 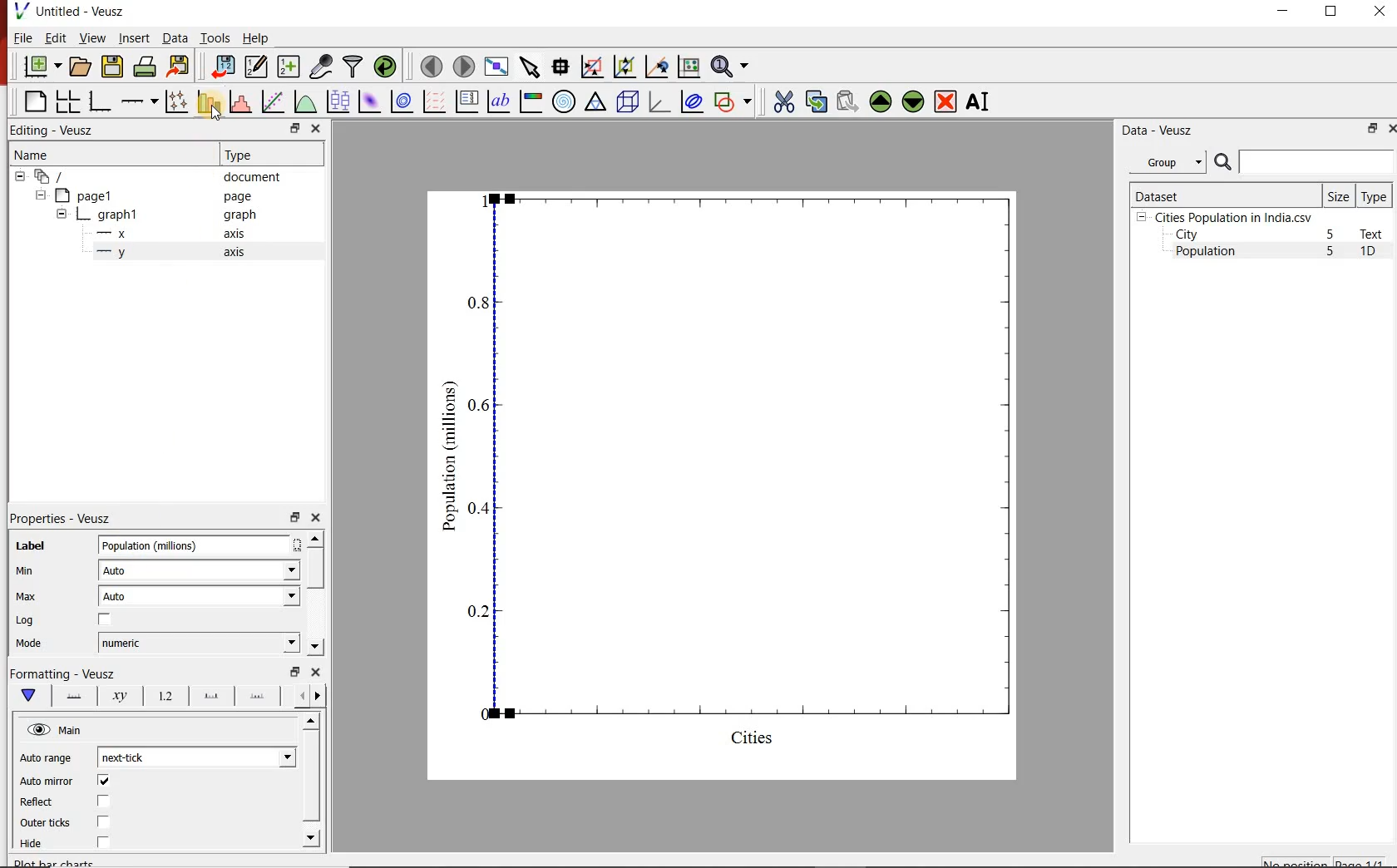 I want to click on Ternary graph, so click(x=595, y=102).